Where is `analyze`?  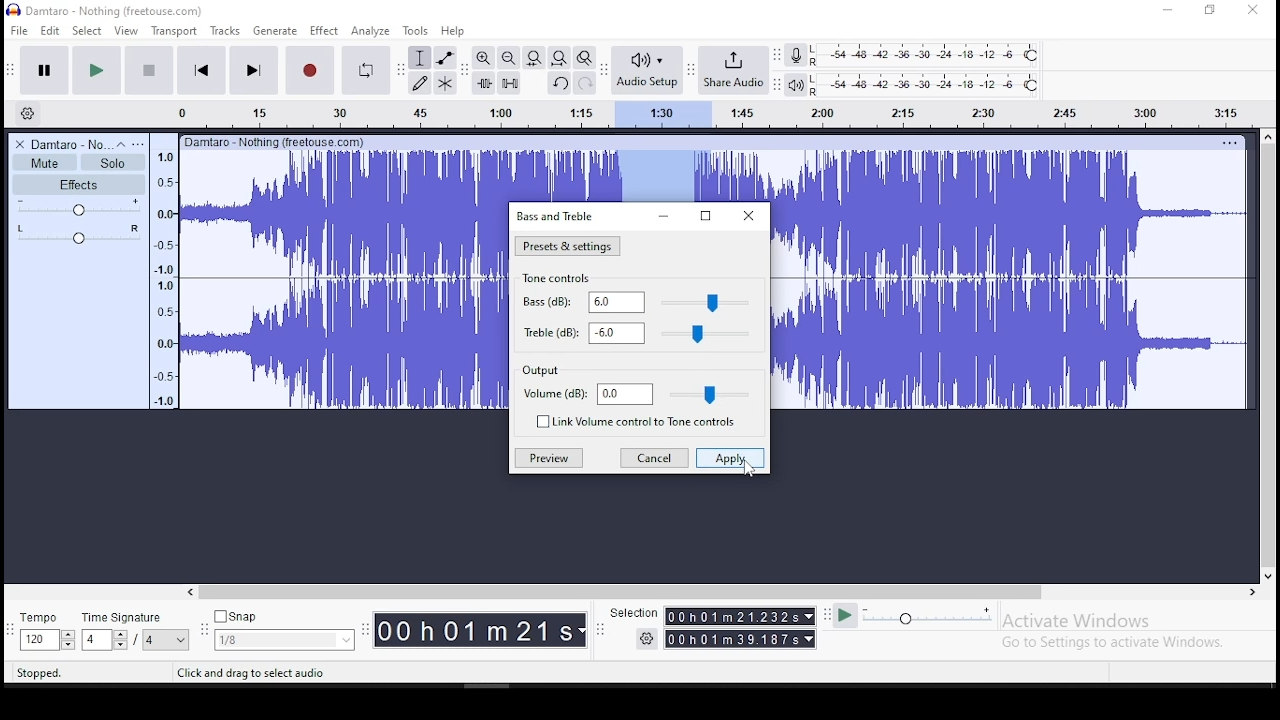 analyze is located at coordinates (371, 31).